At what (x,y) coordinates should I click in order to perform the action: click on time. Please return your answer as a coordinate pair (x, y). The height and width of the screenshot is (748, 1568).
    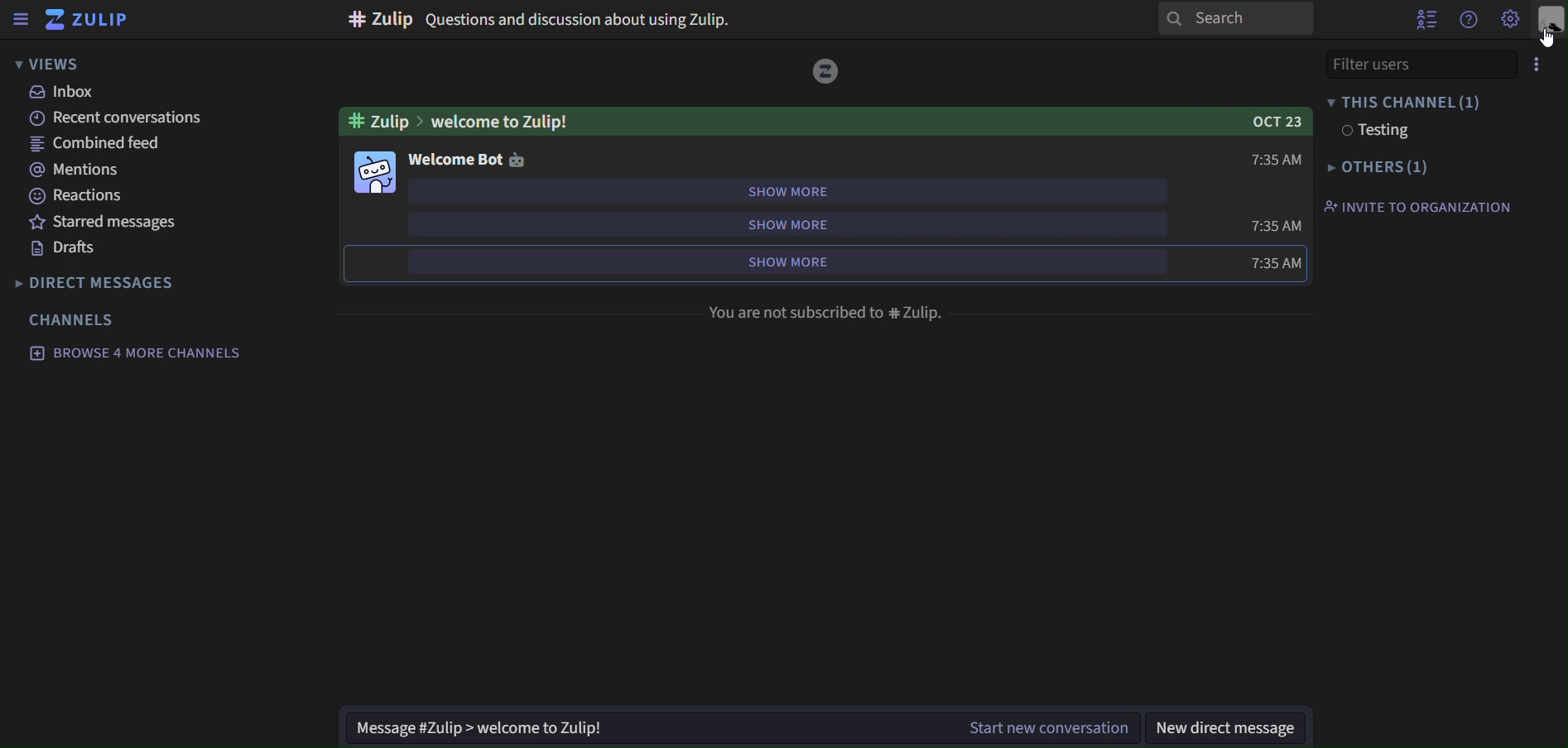
    Looking at the image, I should click on (1277, 263).